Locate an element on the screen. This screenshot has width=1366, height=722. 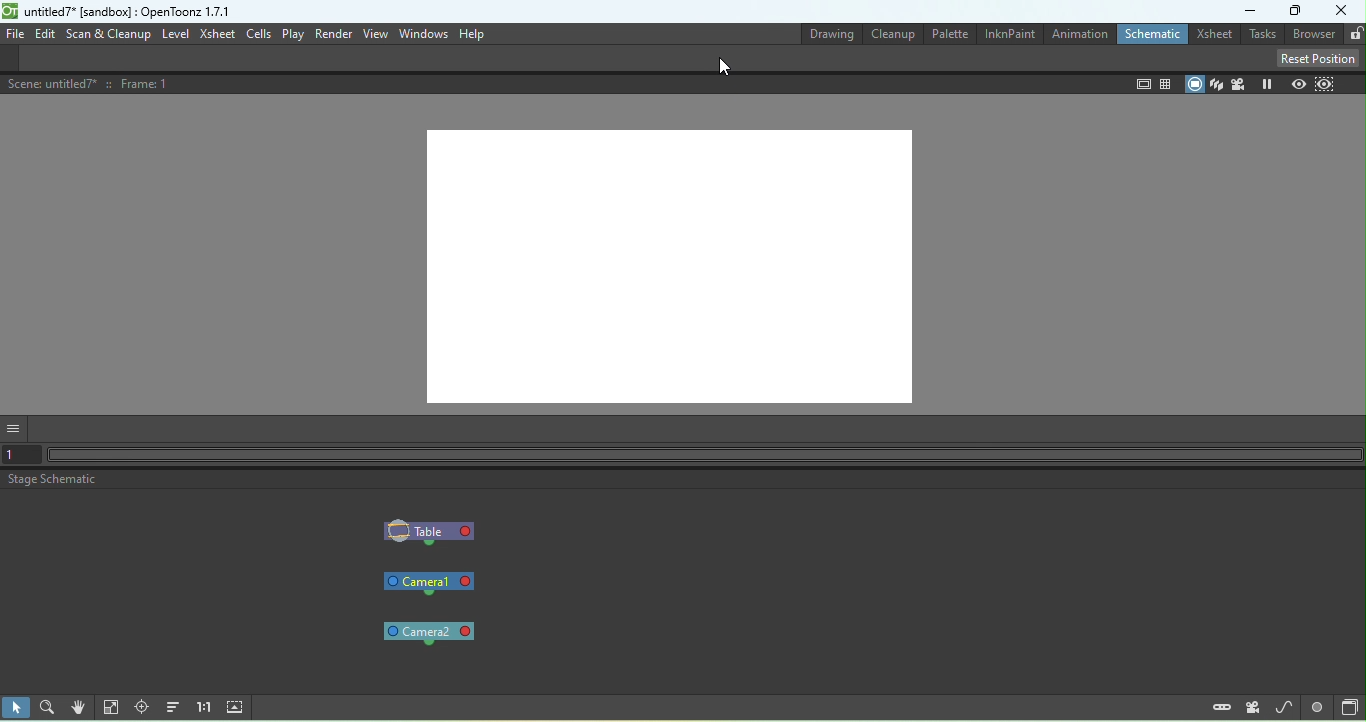
Minimize is located at coordinates (1244, 12).